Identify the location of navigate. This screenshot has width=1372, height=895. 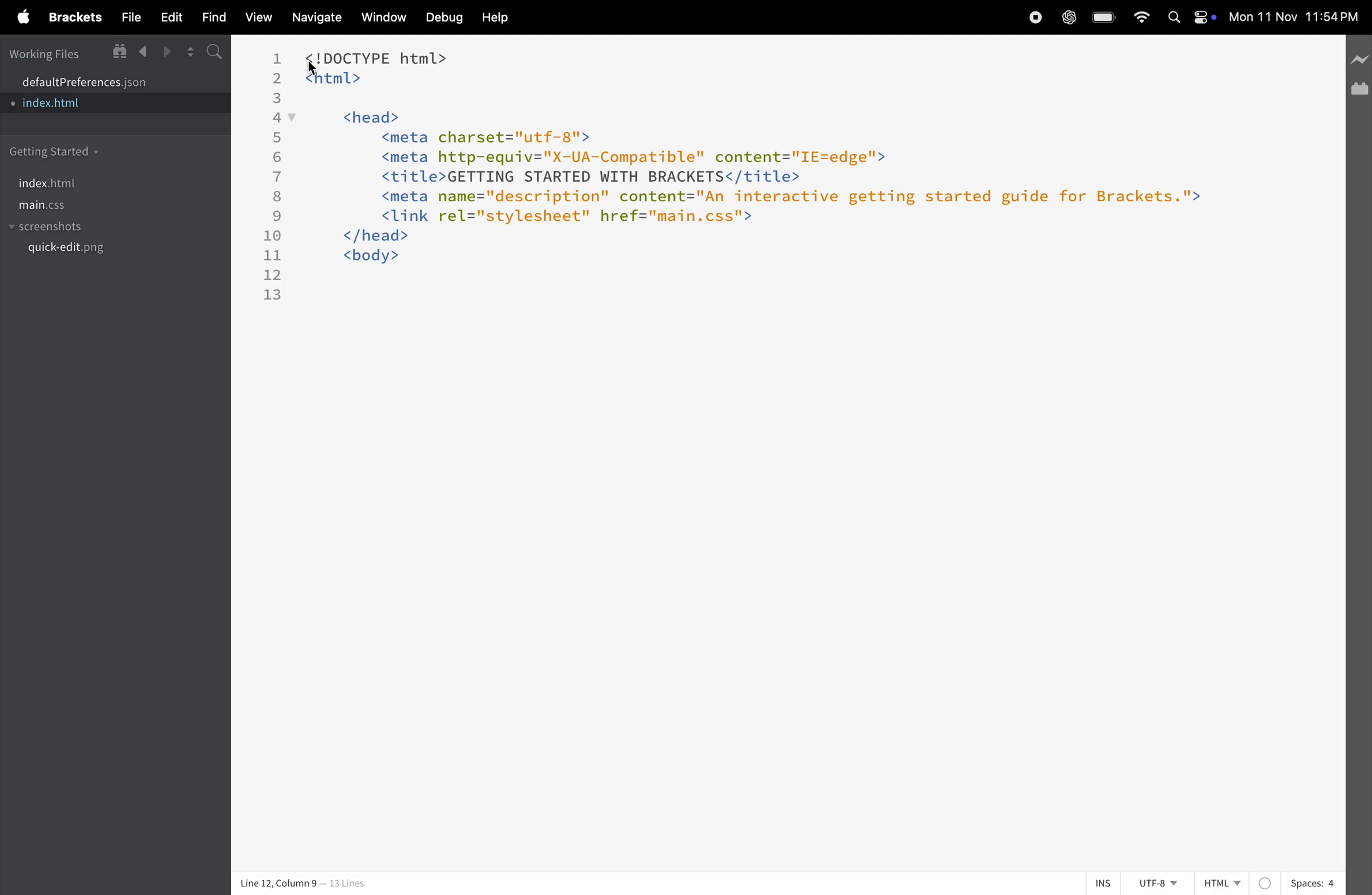
(313, 18).